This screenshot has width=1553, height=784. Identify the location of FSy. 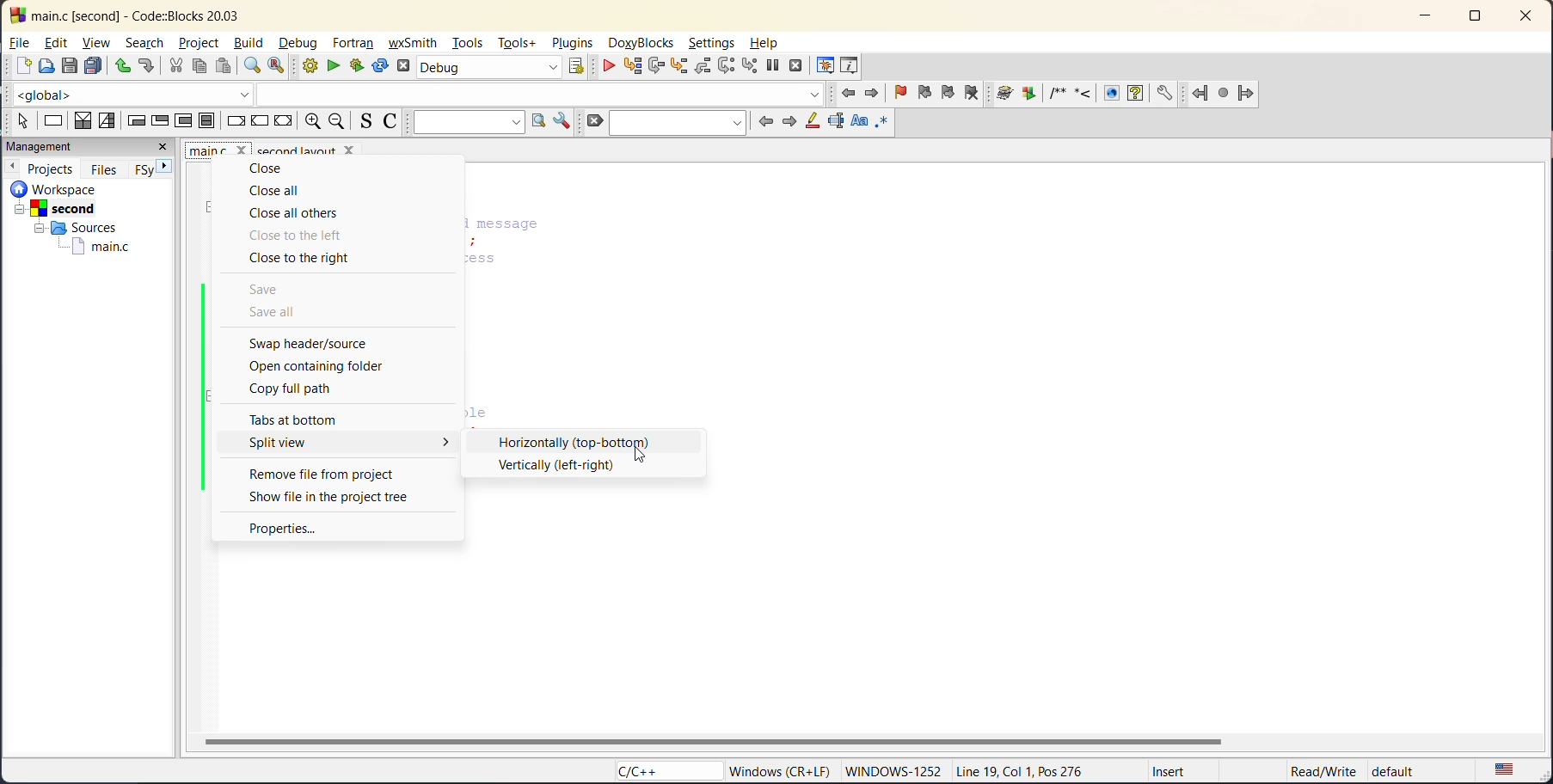
(141, 169).